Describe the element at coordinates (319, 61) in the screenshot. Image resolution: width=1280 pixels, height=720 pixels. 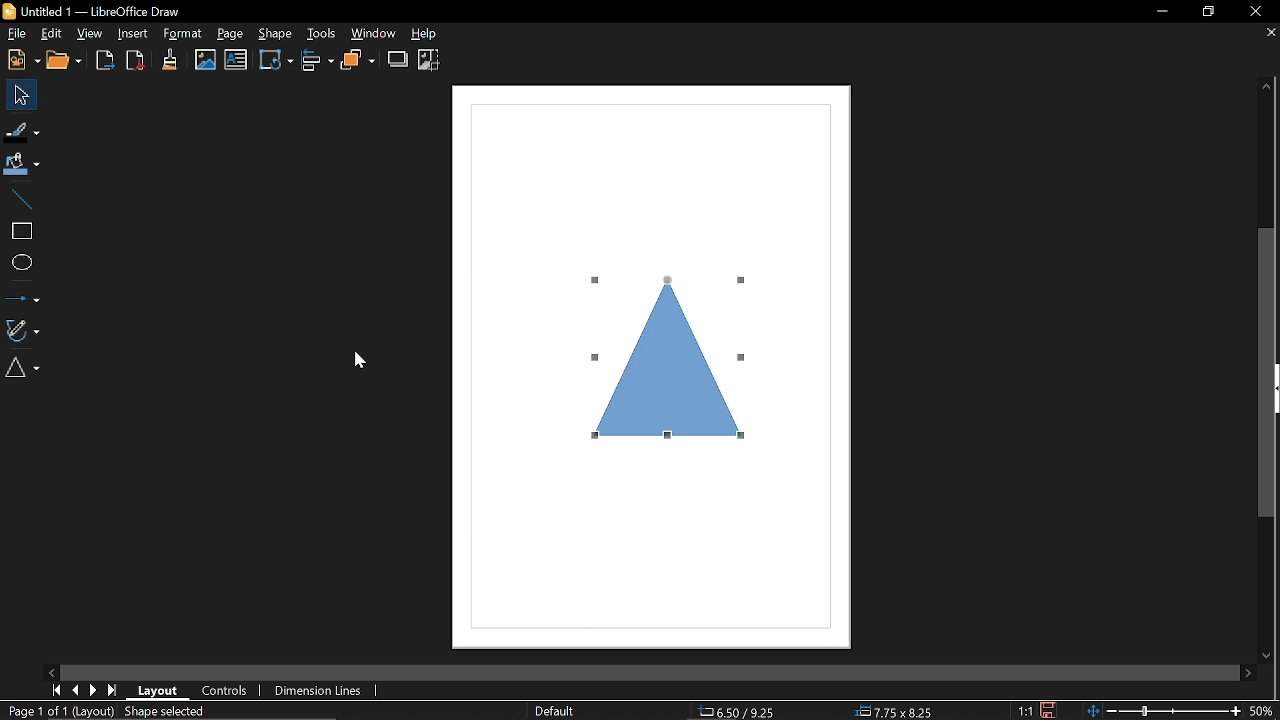
I see `Align` at that location.